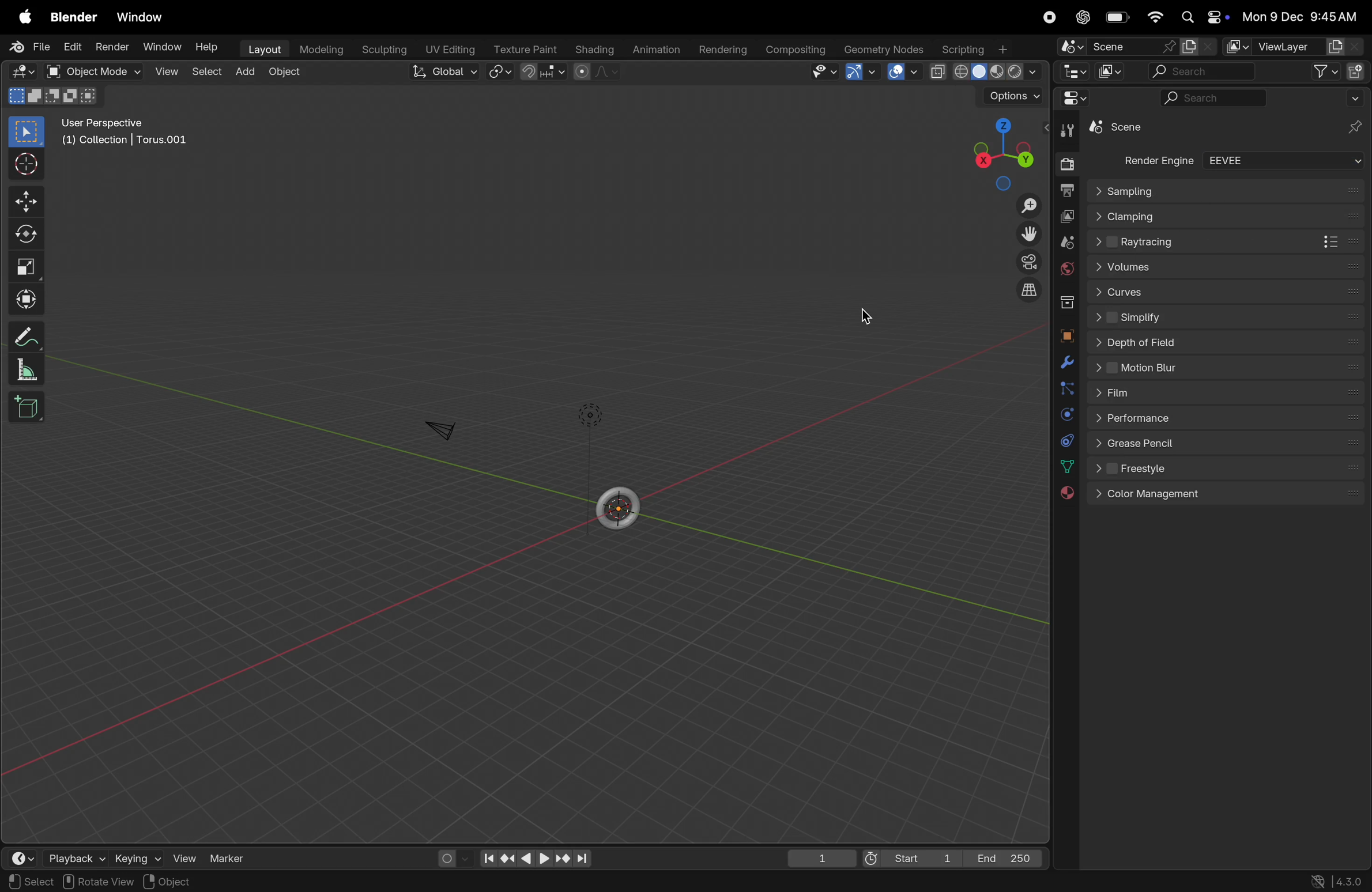 The width and height of the screenshot is (1372, 892). I want to click on Transform, so click(29, 297).